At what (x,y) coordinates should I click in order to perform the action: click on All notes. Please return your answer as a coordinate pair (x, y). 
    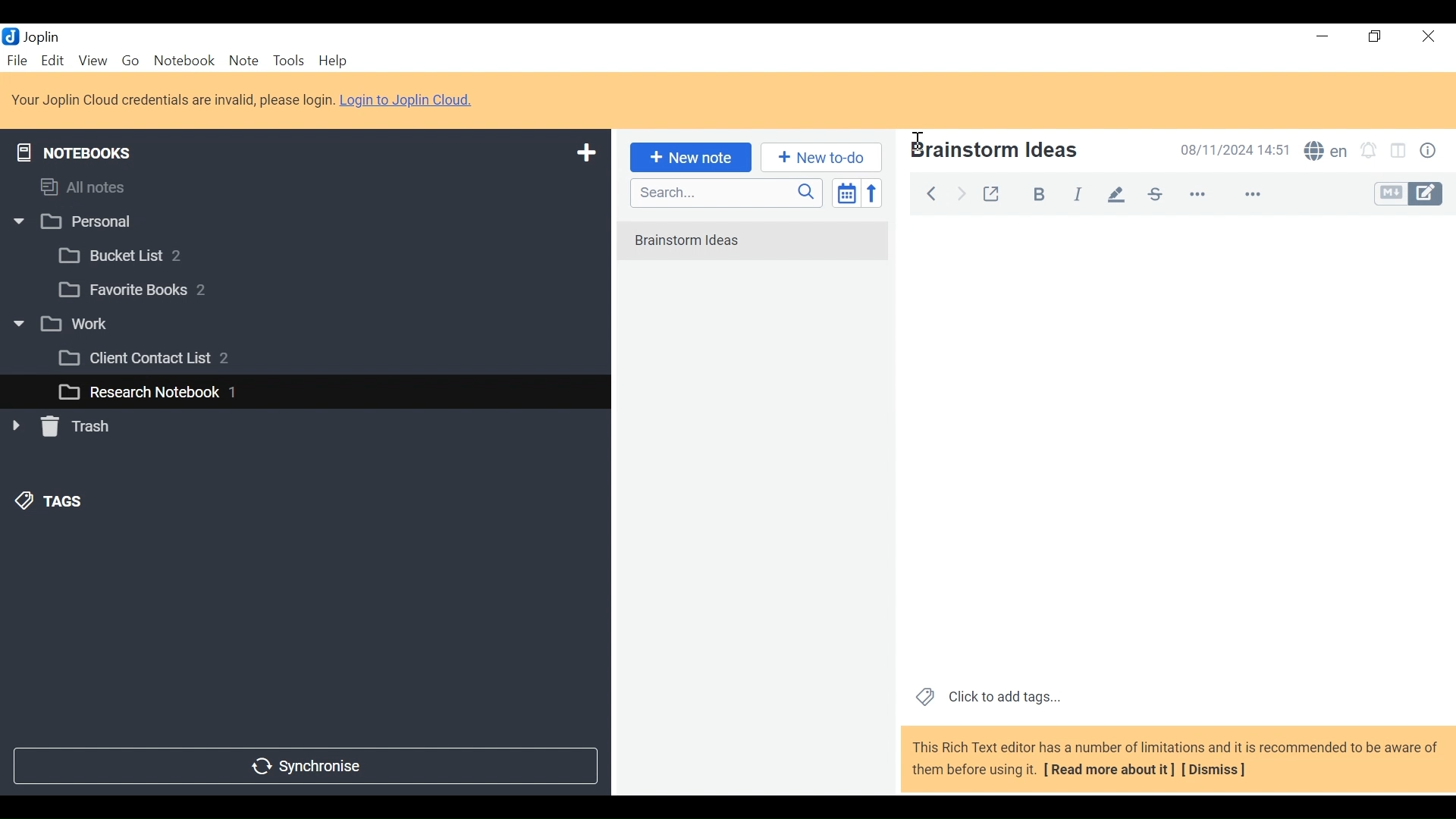
    Looking at the image, I should click on (97, 184).